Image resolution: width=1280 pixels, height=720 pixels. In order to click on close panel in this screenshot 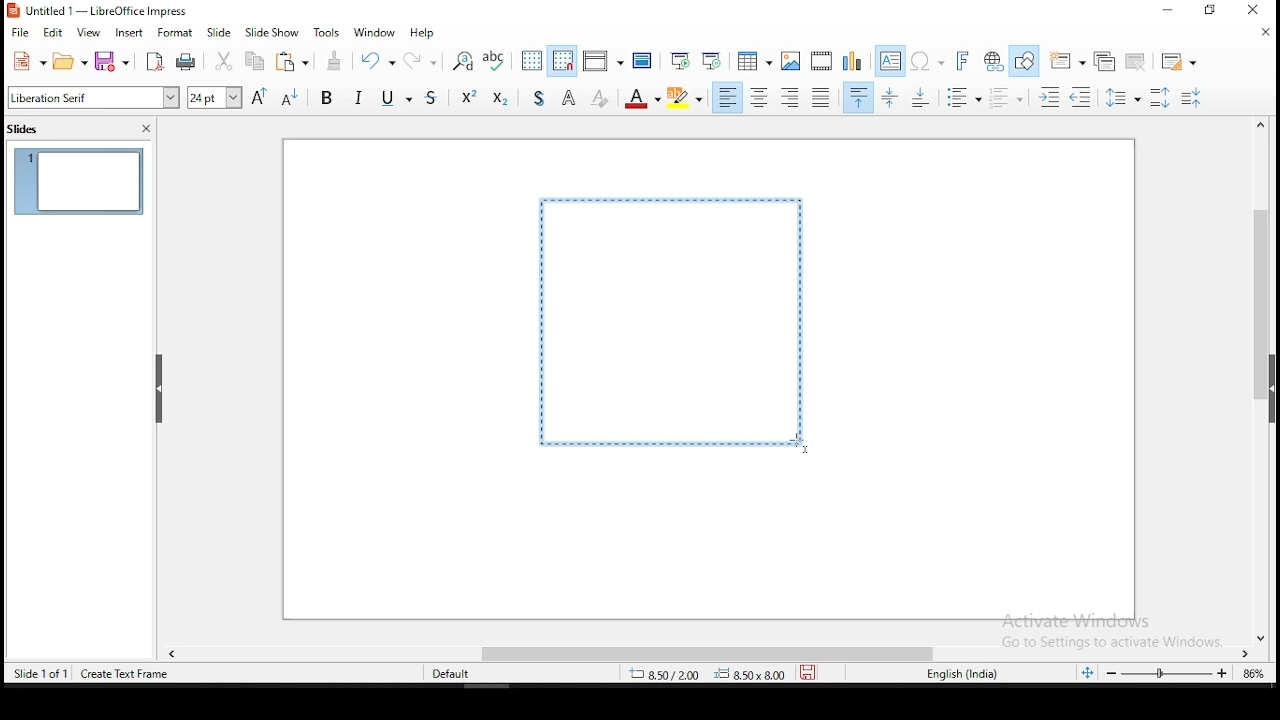, I will do `click(147, 128)`.